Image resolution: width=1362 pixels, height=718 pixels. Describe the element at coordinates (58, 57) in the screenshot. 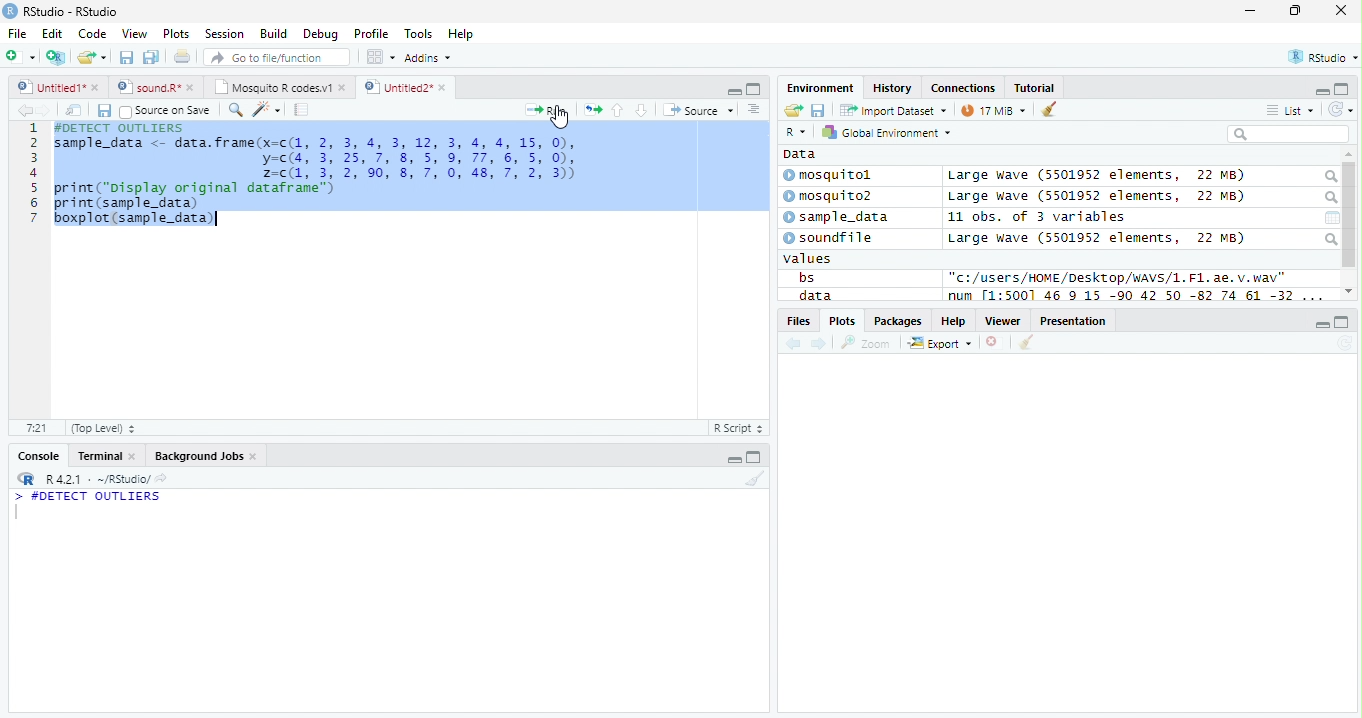

I see `Create a project` at that location.